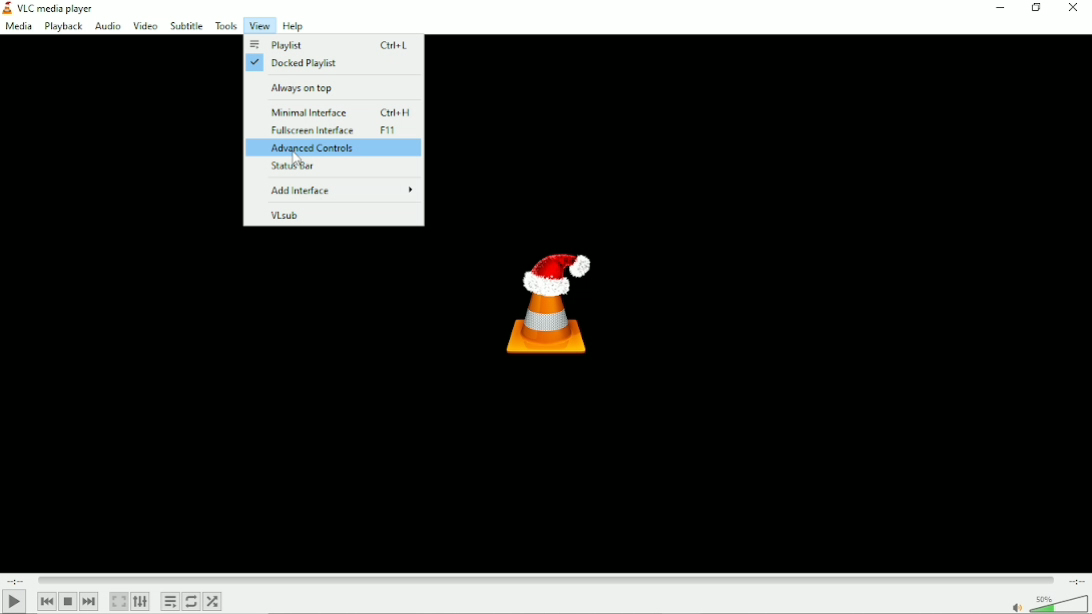  What do you see at coordinates (141, 602) in the screenshot?
I see `Show extended settings` at bounding box center [141, 602].